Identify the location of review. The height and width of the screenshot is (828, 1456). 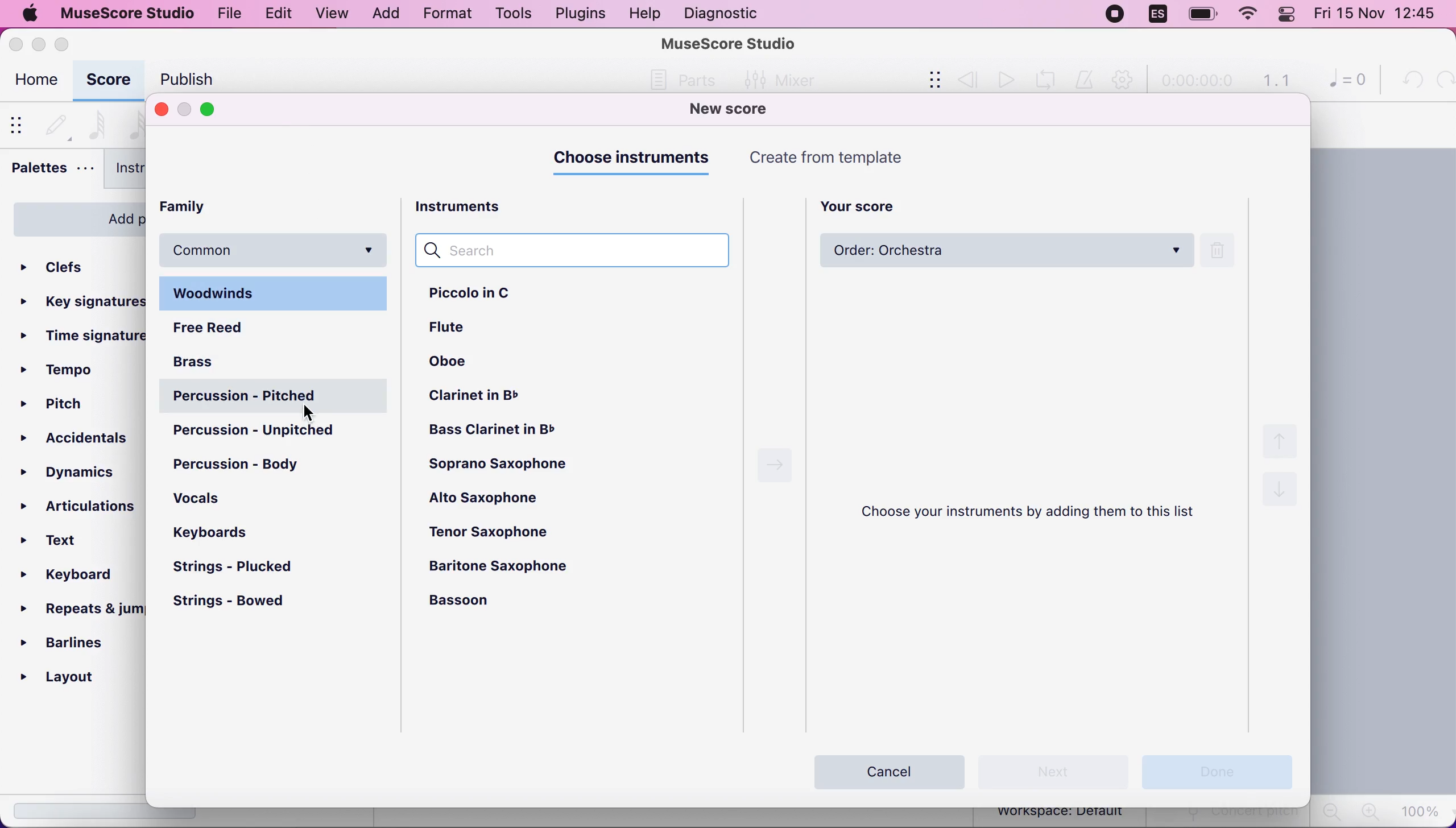
(968, 79).